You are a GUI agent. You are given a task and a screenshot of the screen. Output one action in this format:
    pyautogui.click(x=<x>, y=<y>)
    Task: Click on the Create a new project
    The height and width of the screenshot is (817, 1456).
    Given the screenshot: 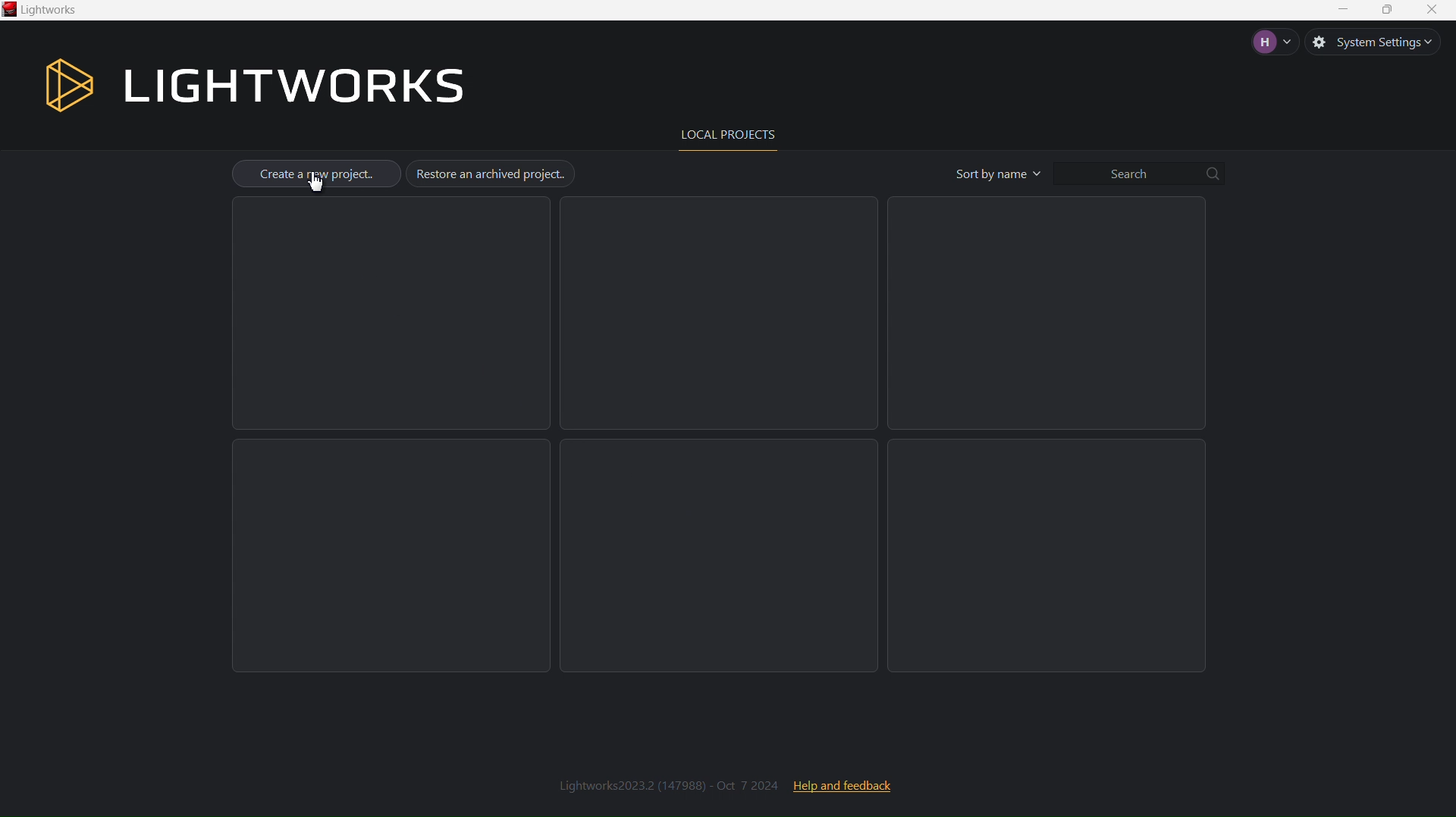 What is the action you would take?
    pyautogui.click(x=317, y=174)
    